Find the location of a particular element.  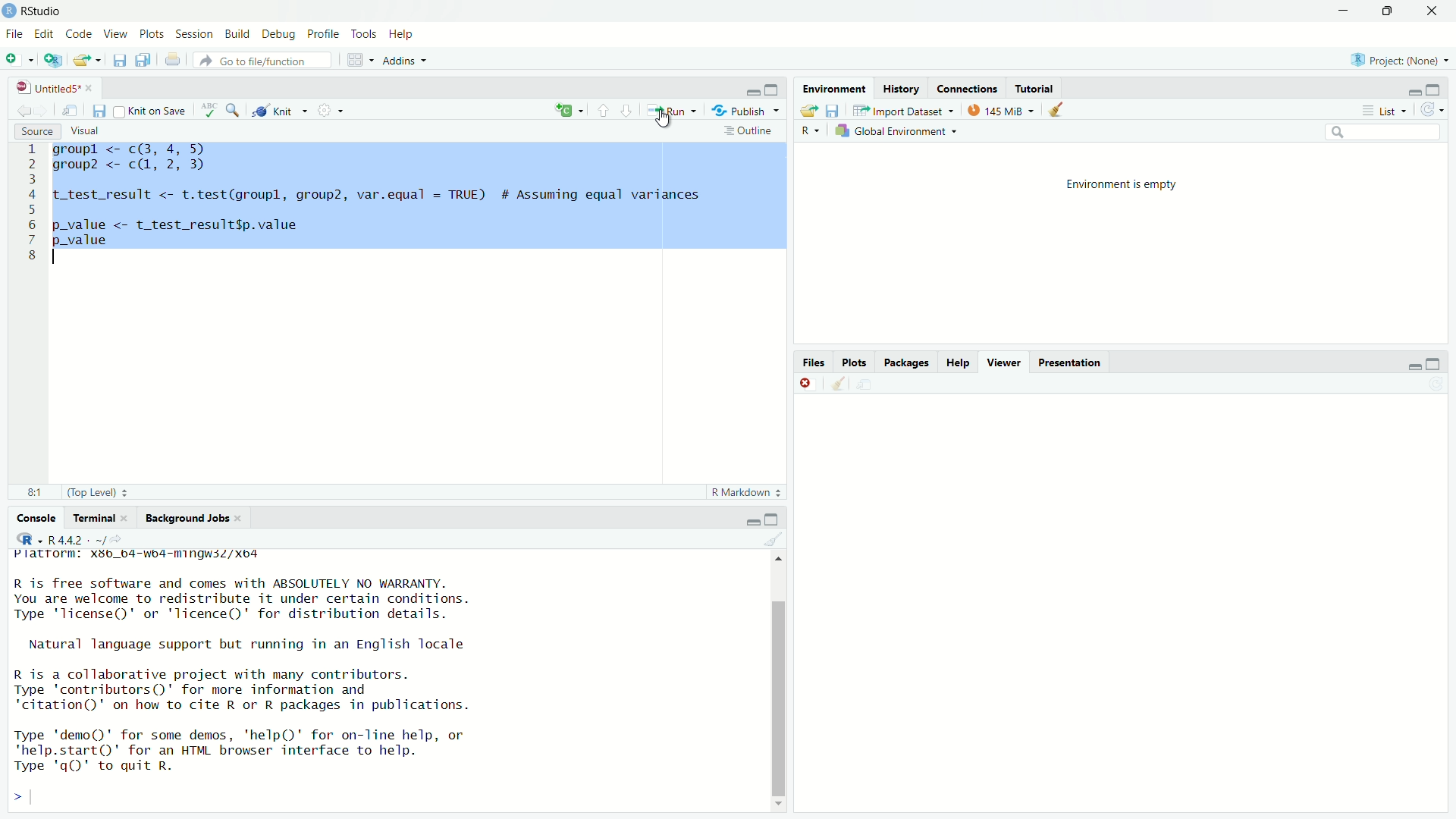

Debug is located at coordinates (277, 32).